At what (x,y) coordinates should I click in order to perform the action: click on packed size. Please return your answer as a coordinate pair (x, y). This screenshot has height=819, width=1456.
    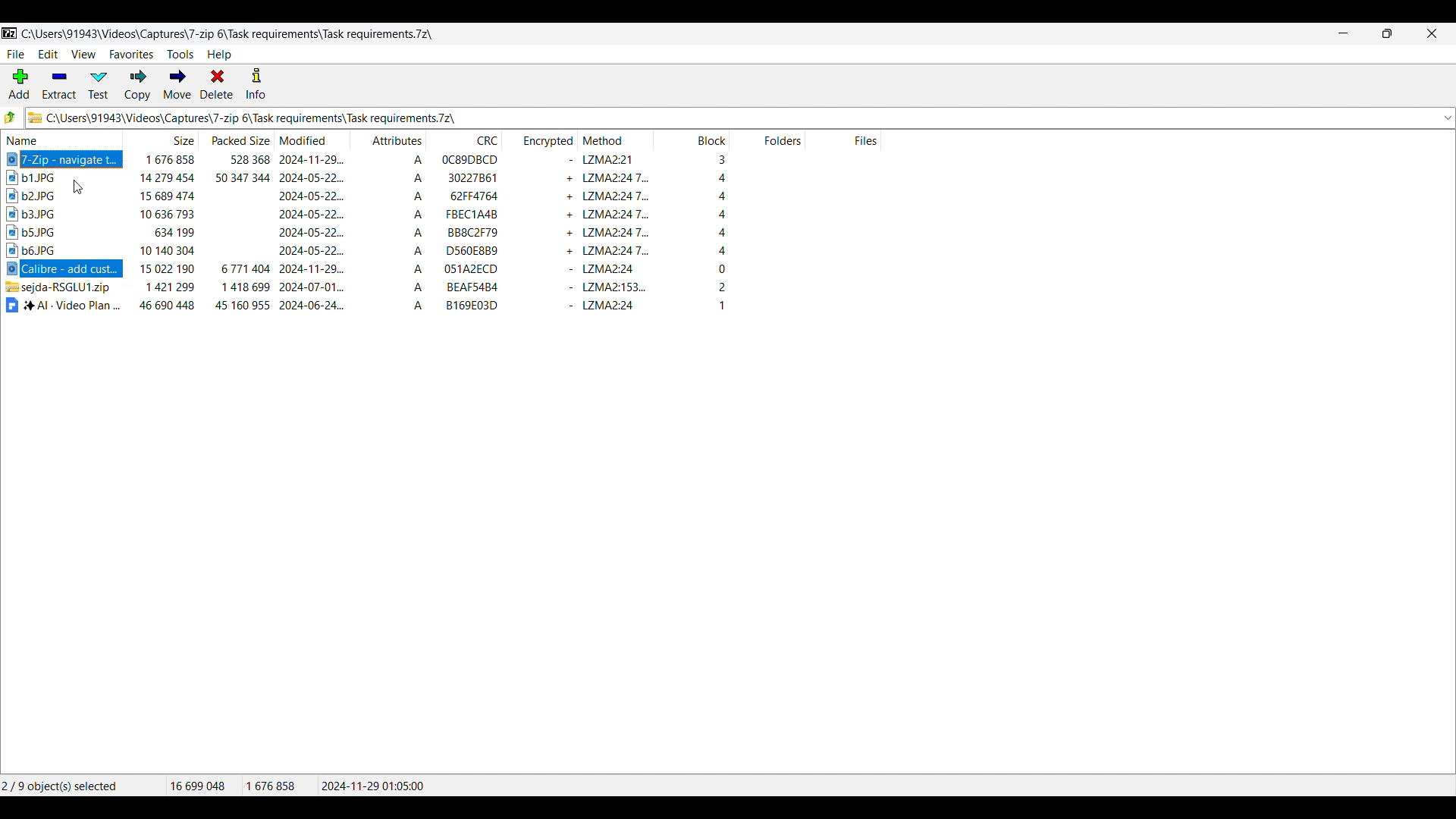
    Looking at the image, I should click on (239, 233).